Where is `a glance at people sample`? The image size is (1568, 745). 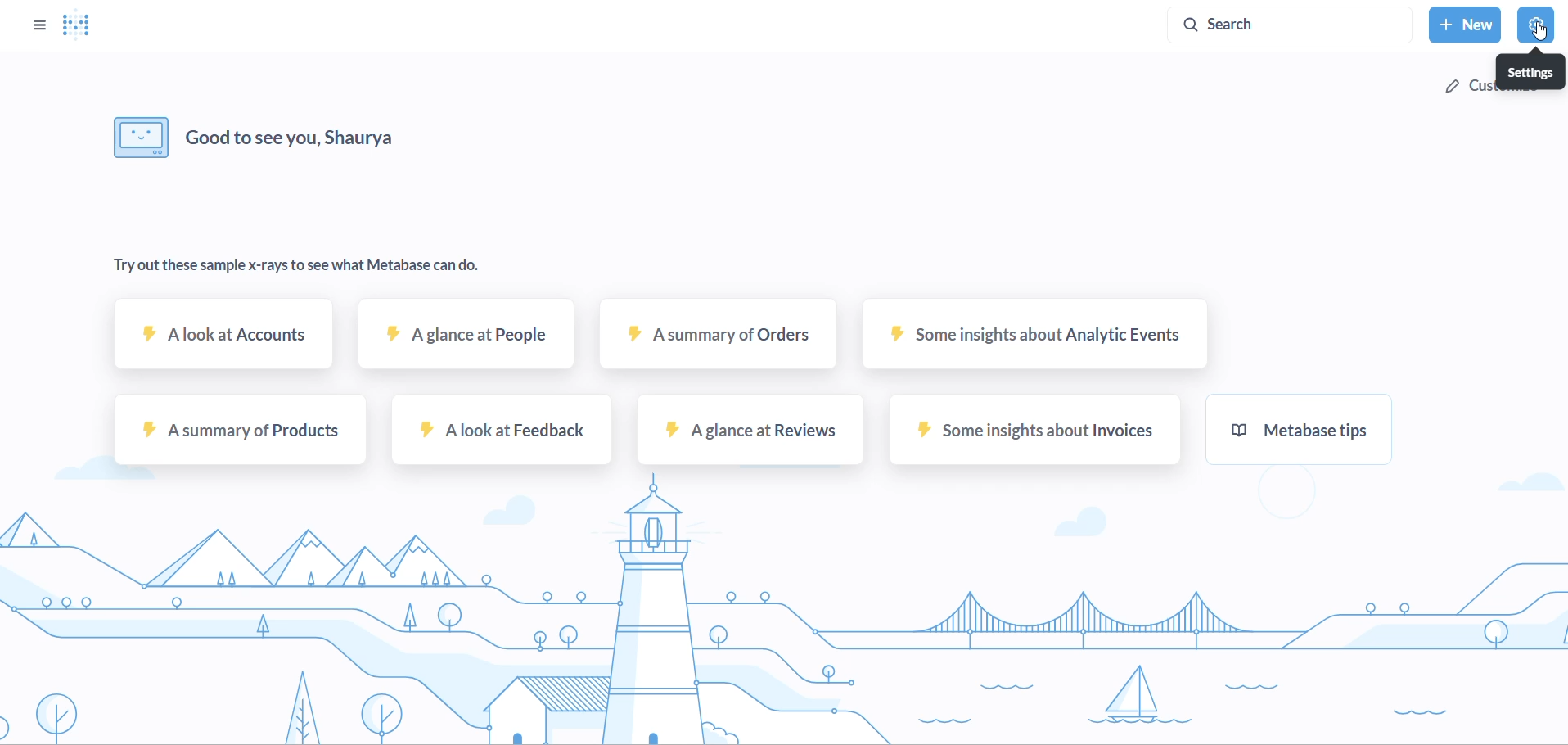
a glance at people sample is located at coordinates (463, 344).